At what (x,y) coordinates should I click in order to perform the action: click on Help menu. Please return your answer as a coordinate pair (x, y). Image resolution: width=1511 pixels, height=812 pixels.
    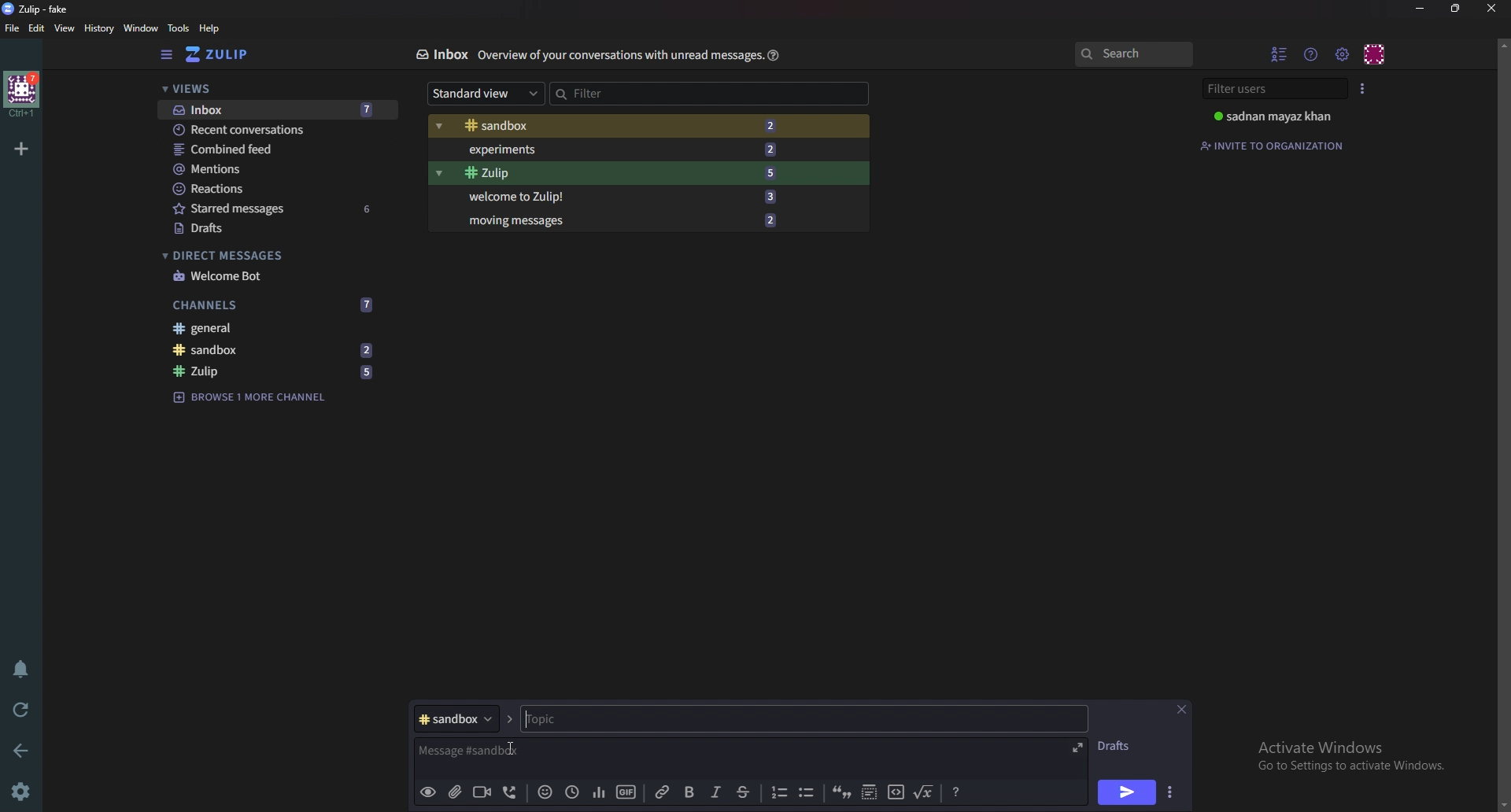
    Looking at the image, I should click on (1312, 54).